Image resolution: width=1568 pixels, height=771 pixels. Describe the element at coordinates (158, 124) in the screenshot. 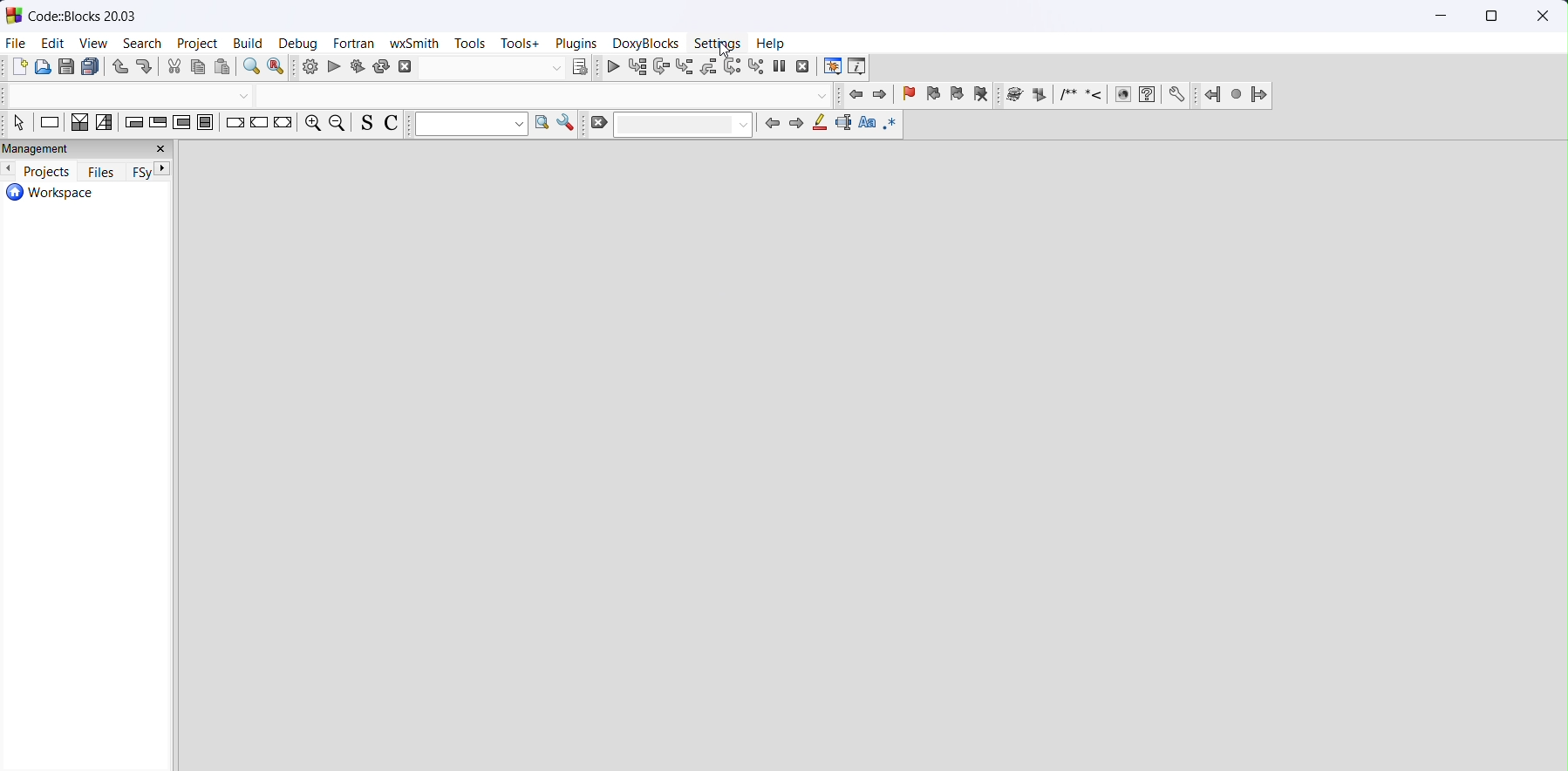

I see `exit conditional loop` at that location.